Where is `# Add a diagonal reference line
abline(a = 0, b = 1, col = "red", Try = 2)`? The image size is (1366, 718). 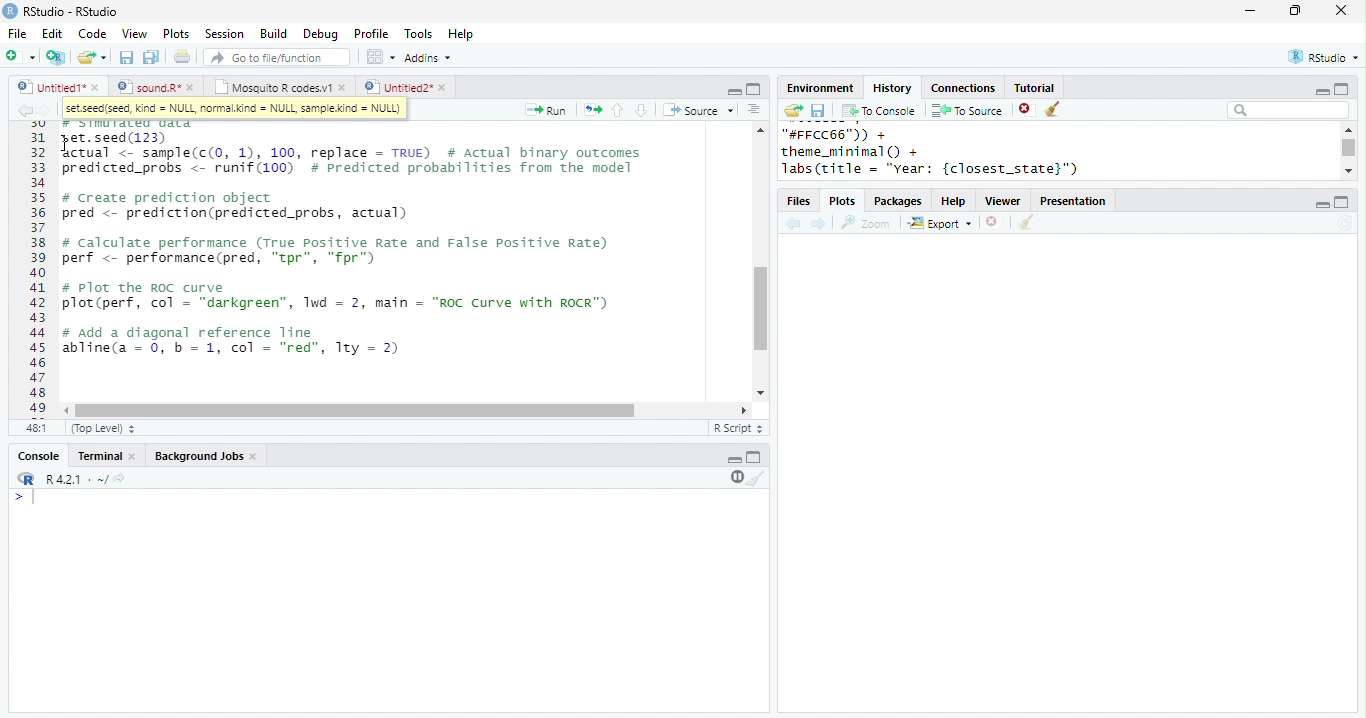 # Add a diagonal reference line
abline(a = 0, b = 1, col = "red", Try = 2) is located at coordinates (234, 343).